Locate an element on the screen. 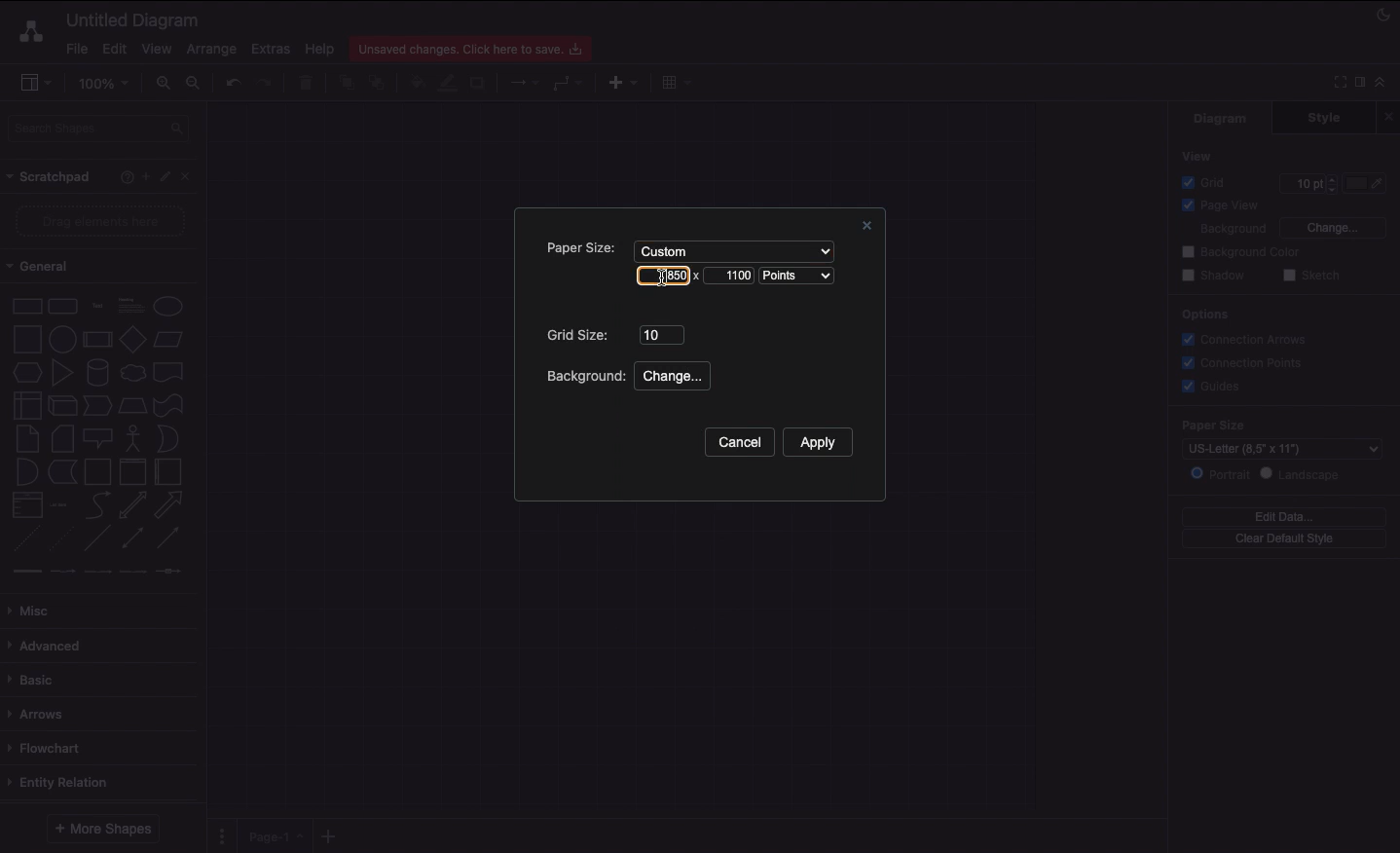  Triangle is located at coordinates (62, 372).